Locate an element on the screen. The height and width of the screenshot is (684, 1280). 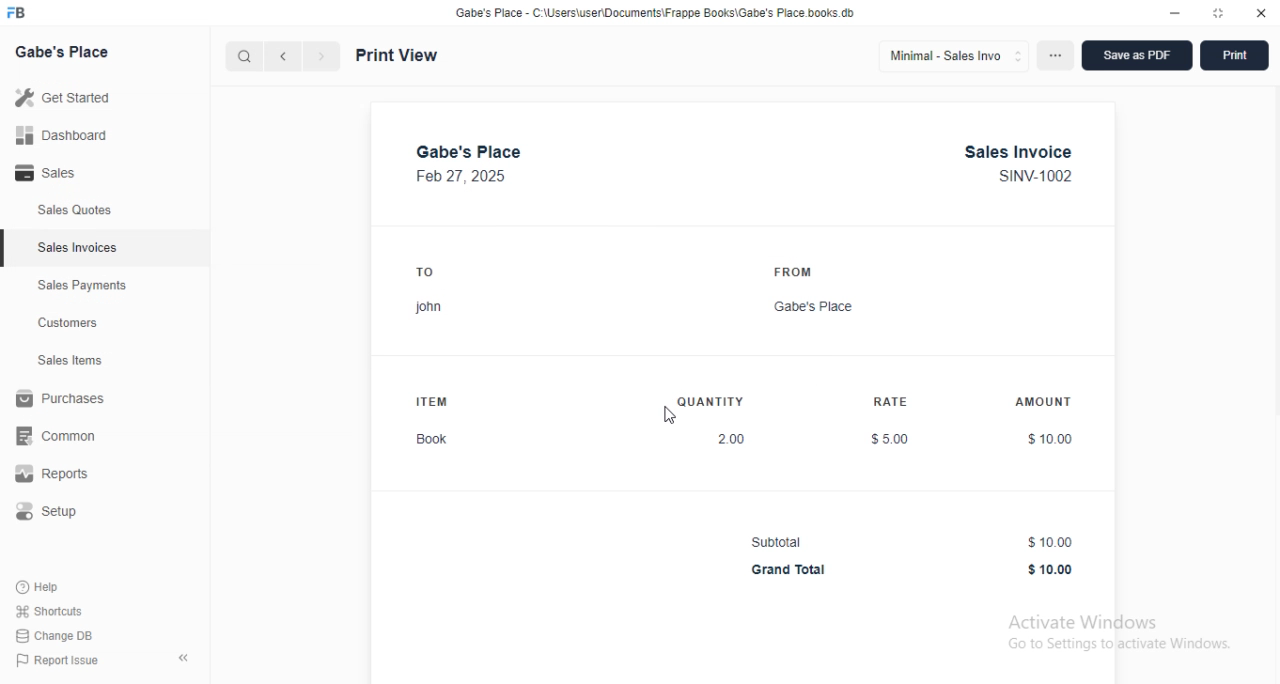
change DB is located at coordinates (54, 636).